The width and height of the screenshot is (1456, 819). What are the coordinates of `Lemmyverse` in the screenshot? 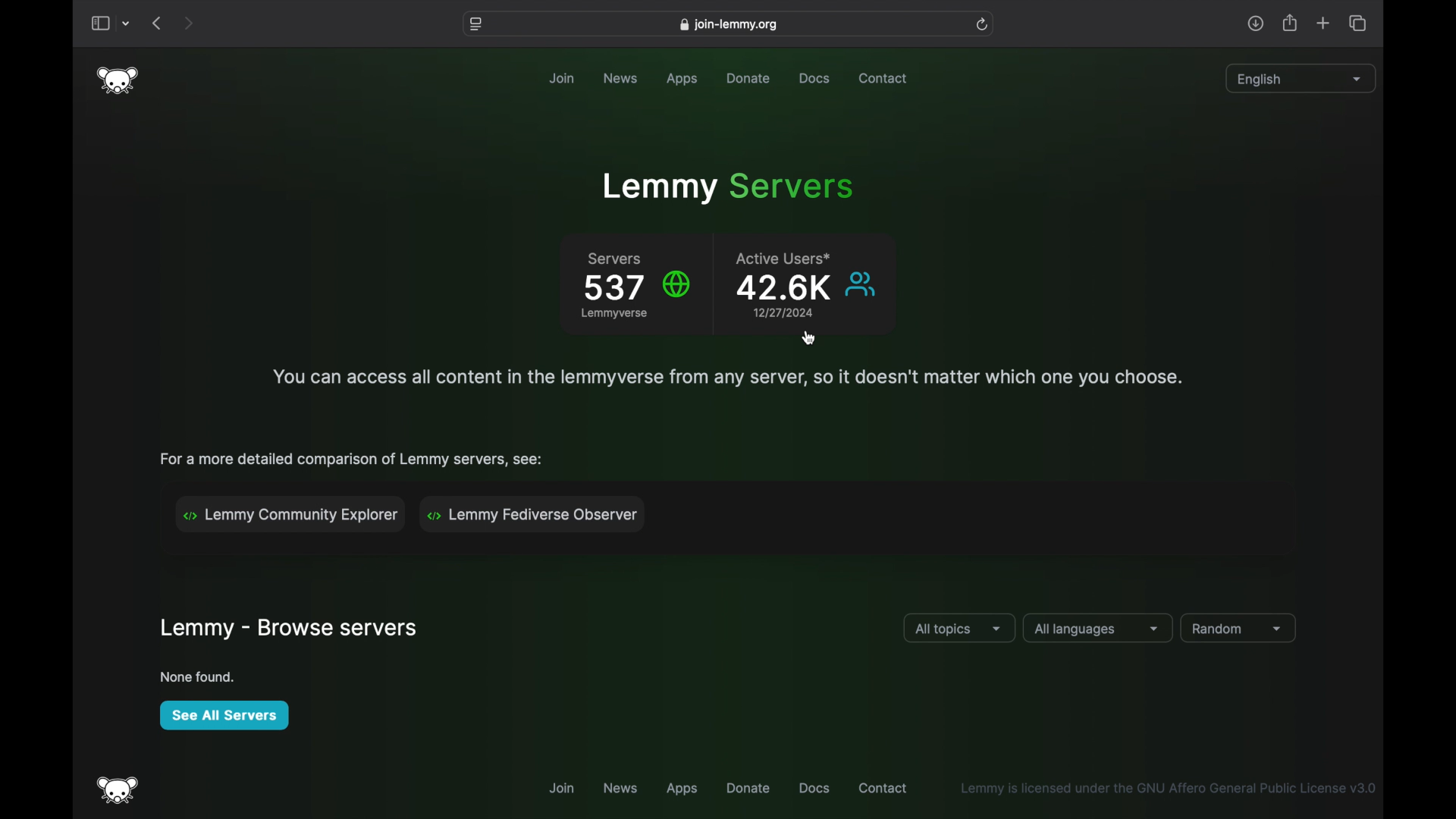 It's located at (615, 316).